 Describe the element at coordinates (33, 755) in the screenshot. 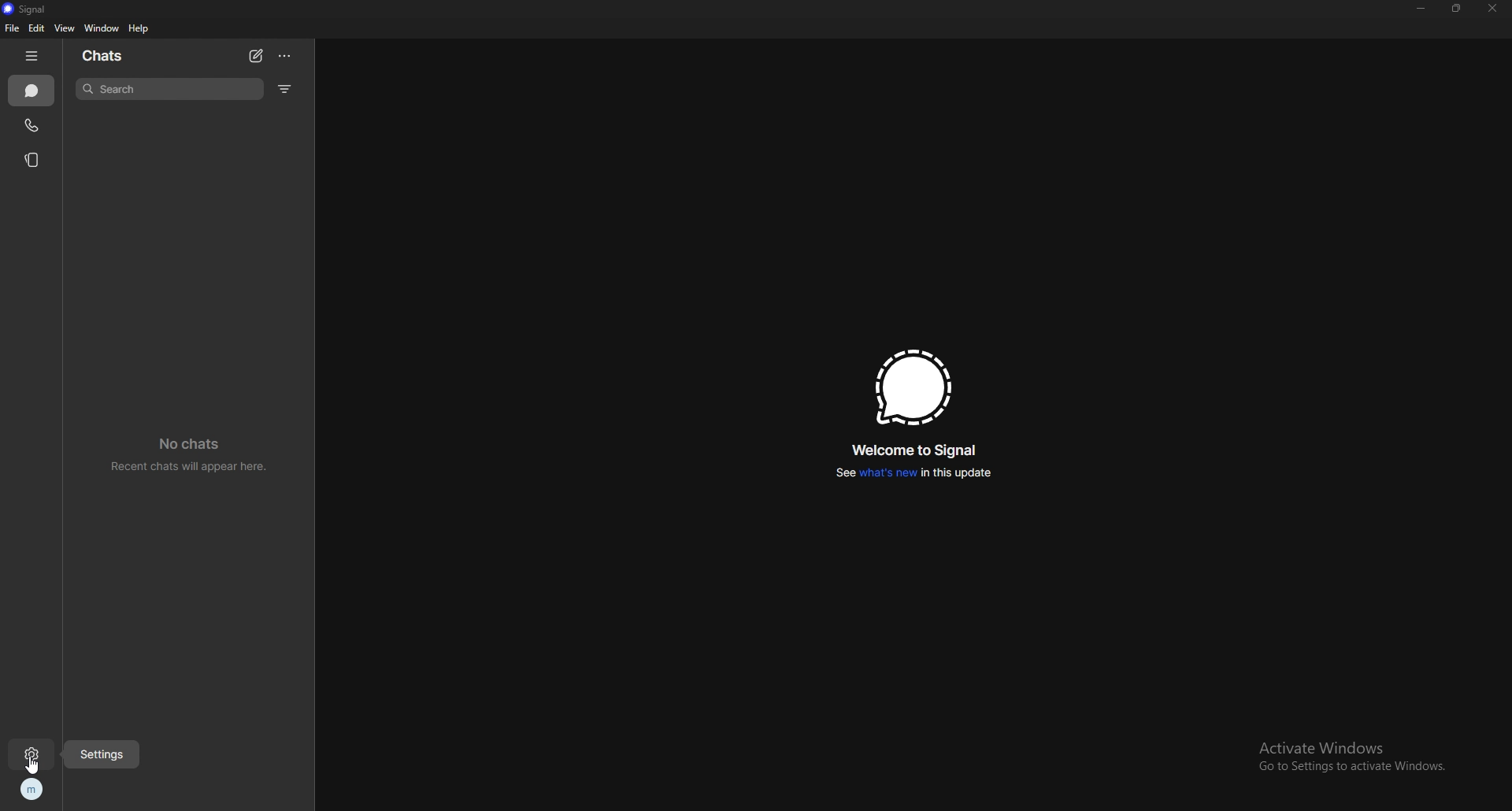

I see `settings` at that location.